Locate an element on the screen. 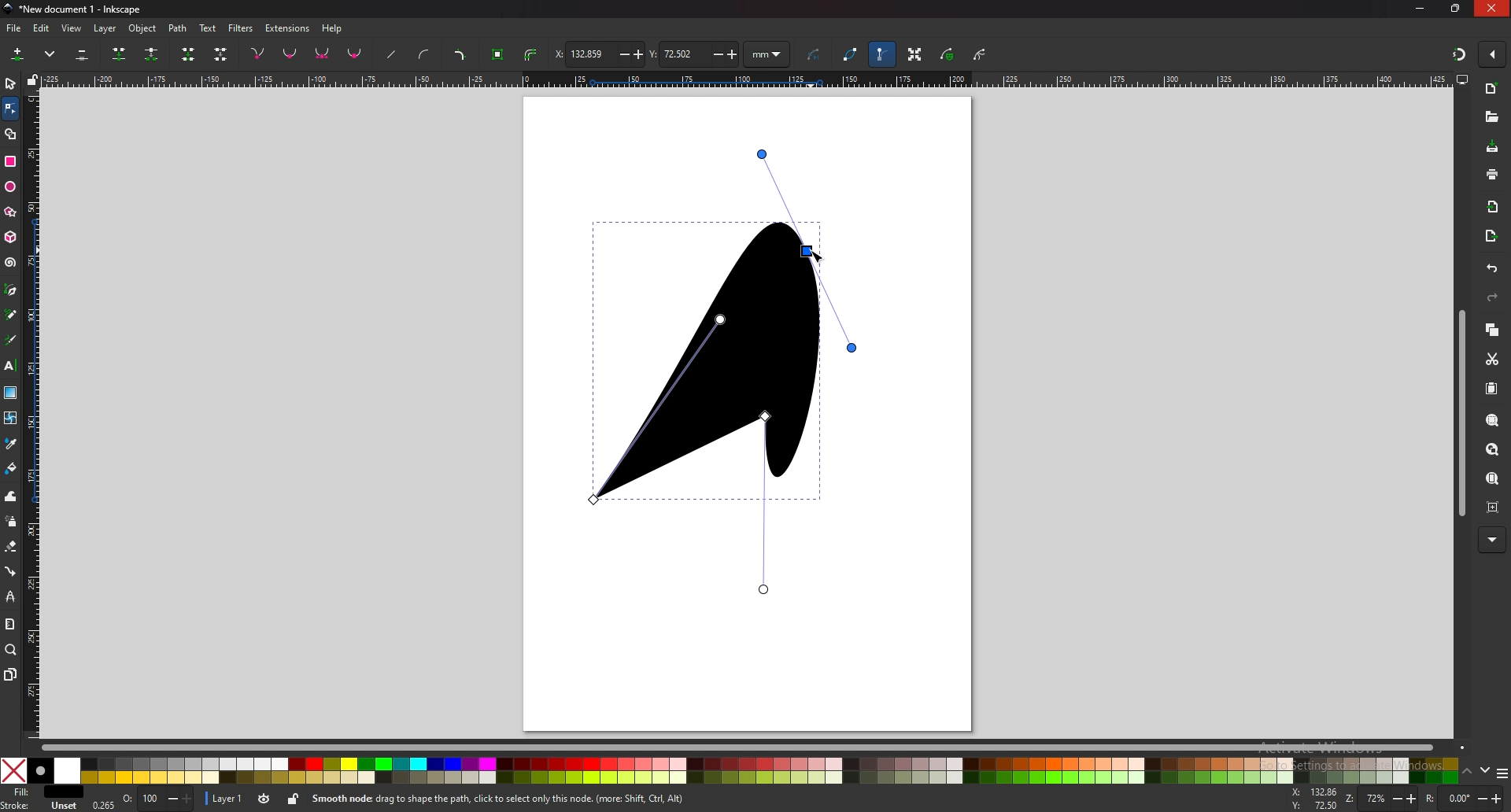 The image size is (1511, 812). lock guides is located at coordinates (32, 79).